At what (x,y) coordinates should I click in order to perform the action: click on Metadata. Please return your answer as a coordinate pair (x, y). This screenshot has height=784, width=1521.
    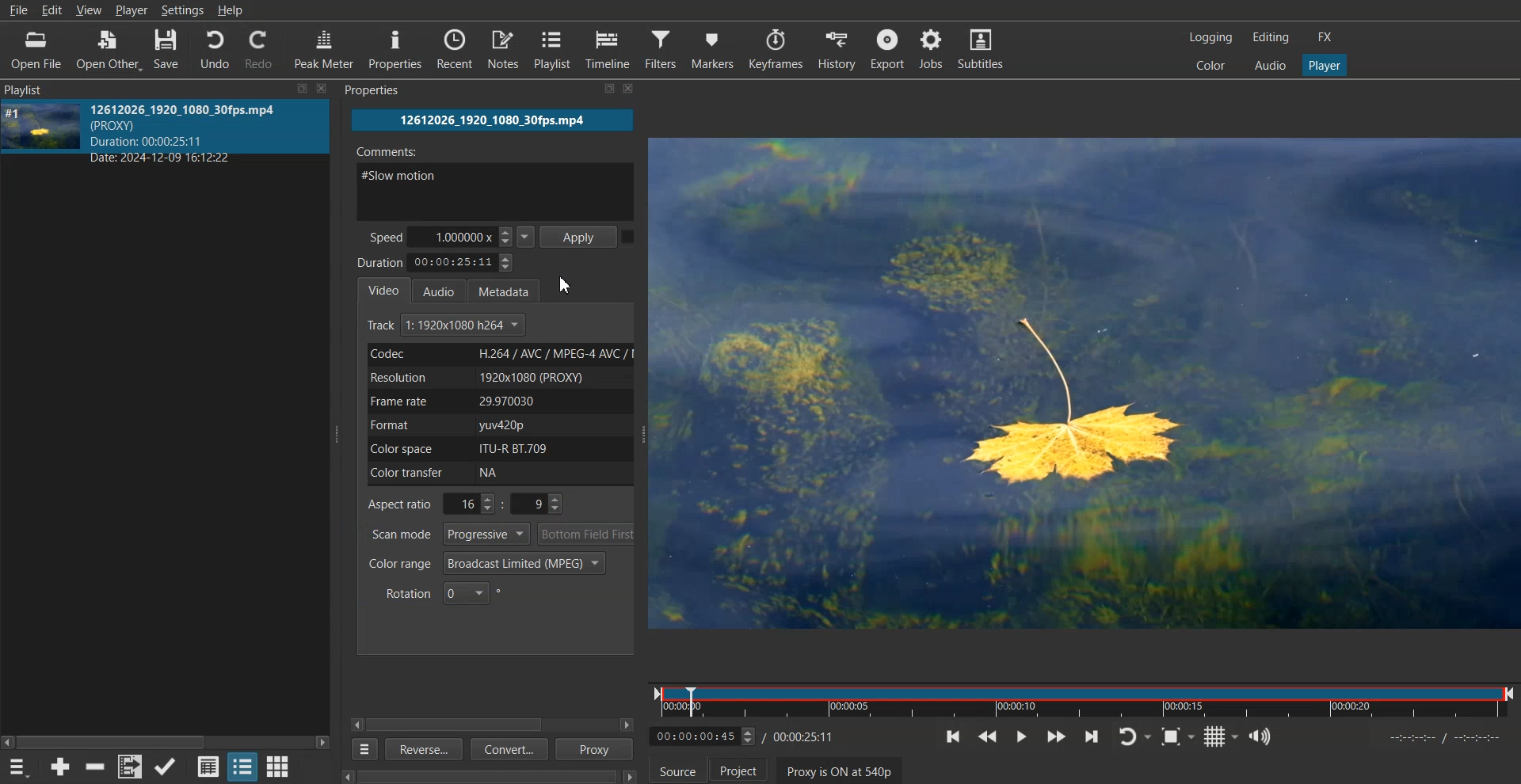
    Looking at the image, I should click on (511, 289).